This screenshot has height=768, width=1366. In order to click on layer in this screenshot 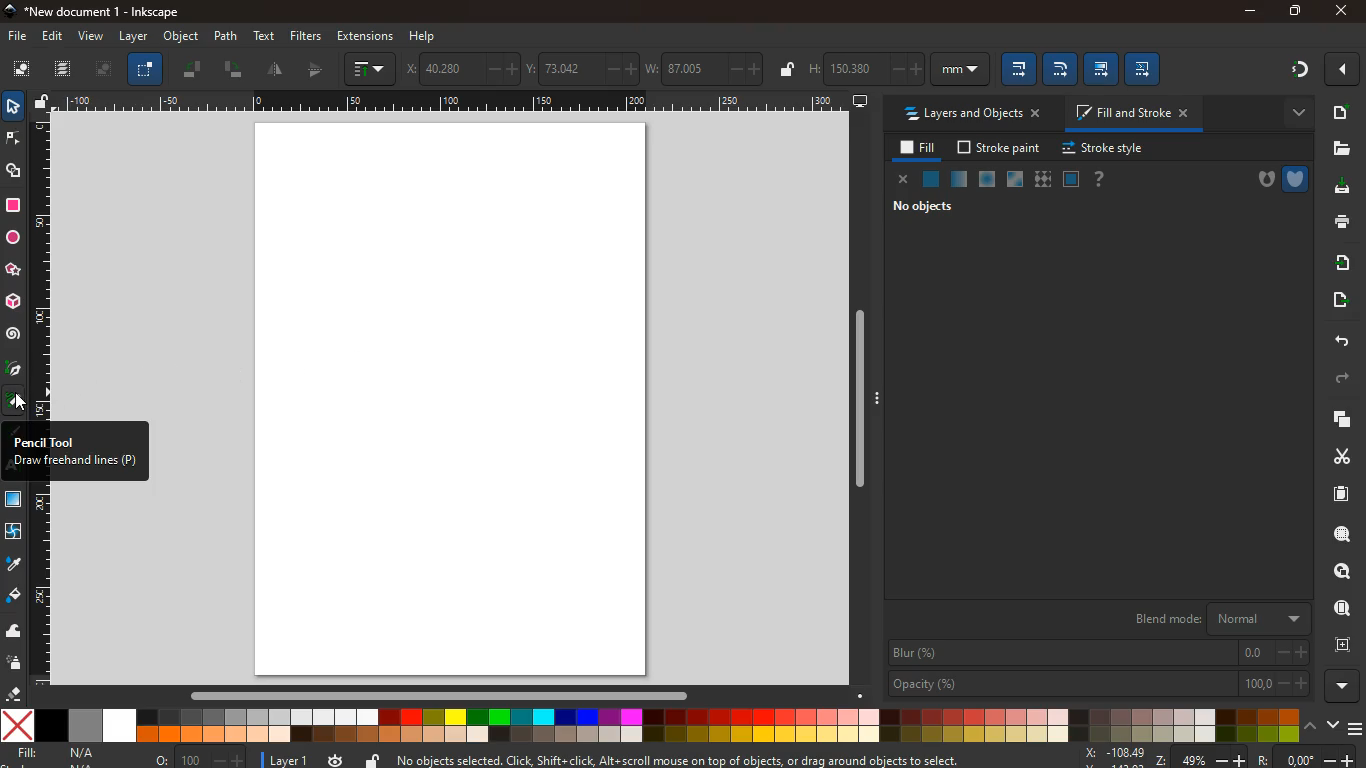, I will do `click(280, 759)`.